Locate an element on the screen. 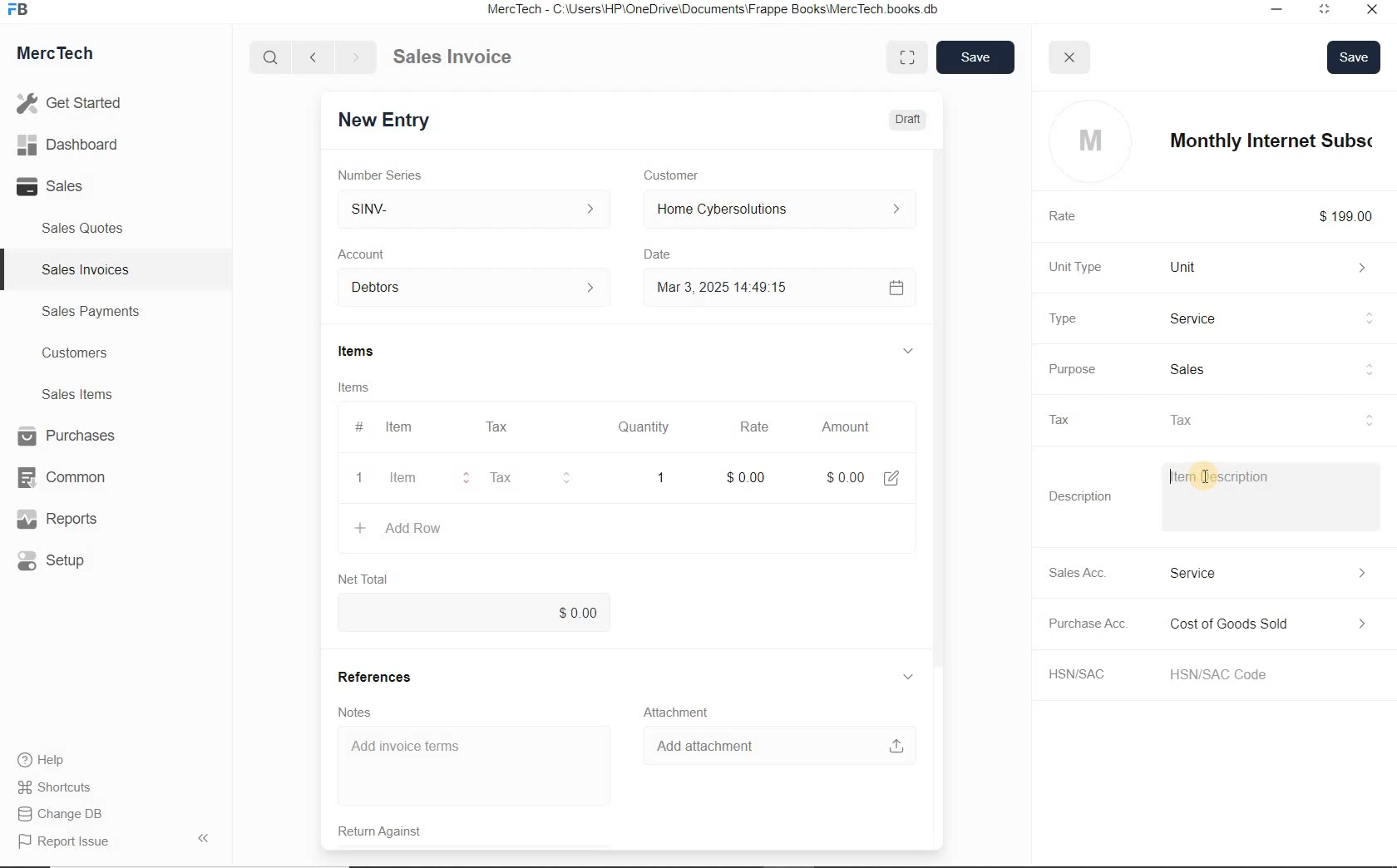 The image size is (1397, 868). References is located at coordinates (378, 675).